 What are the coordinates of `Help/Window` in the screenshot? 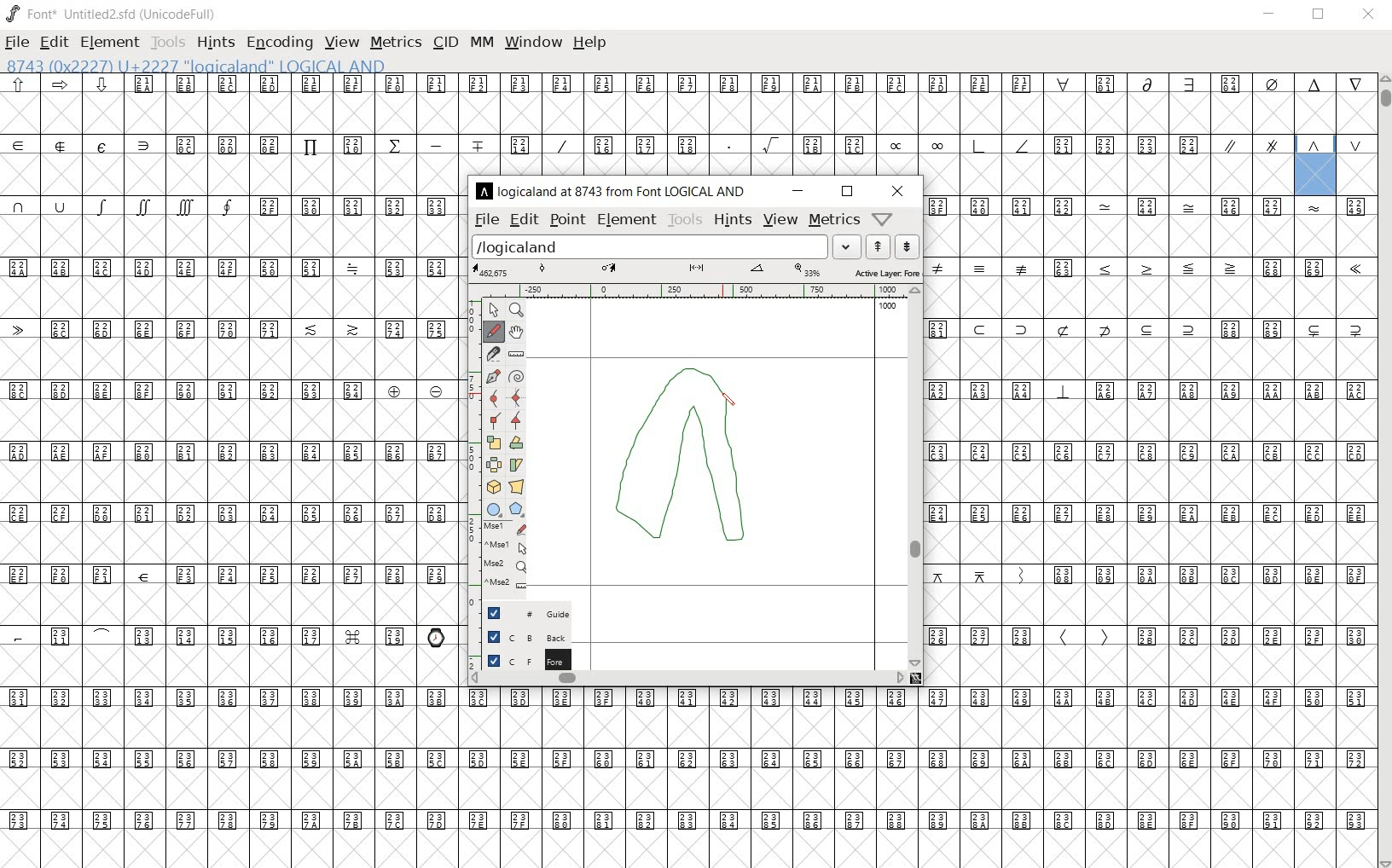 It's located at (884, 218).